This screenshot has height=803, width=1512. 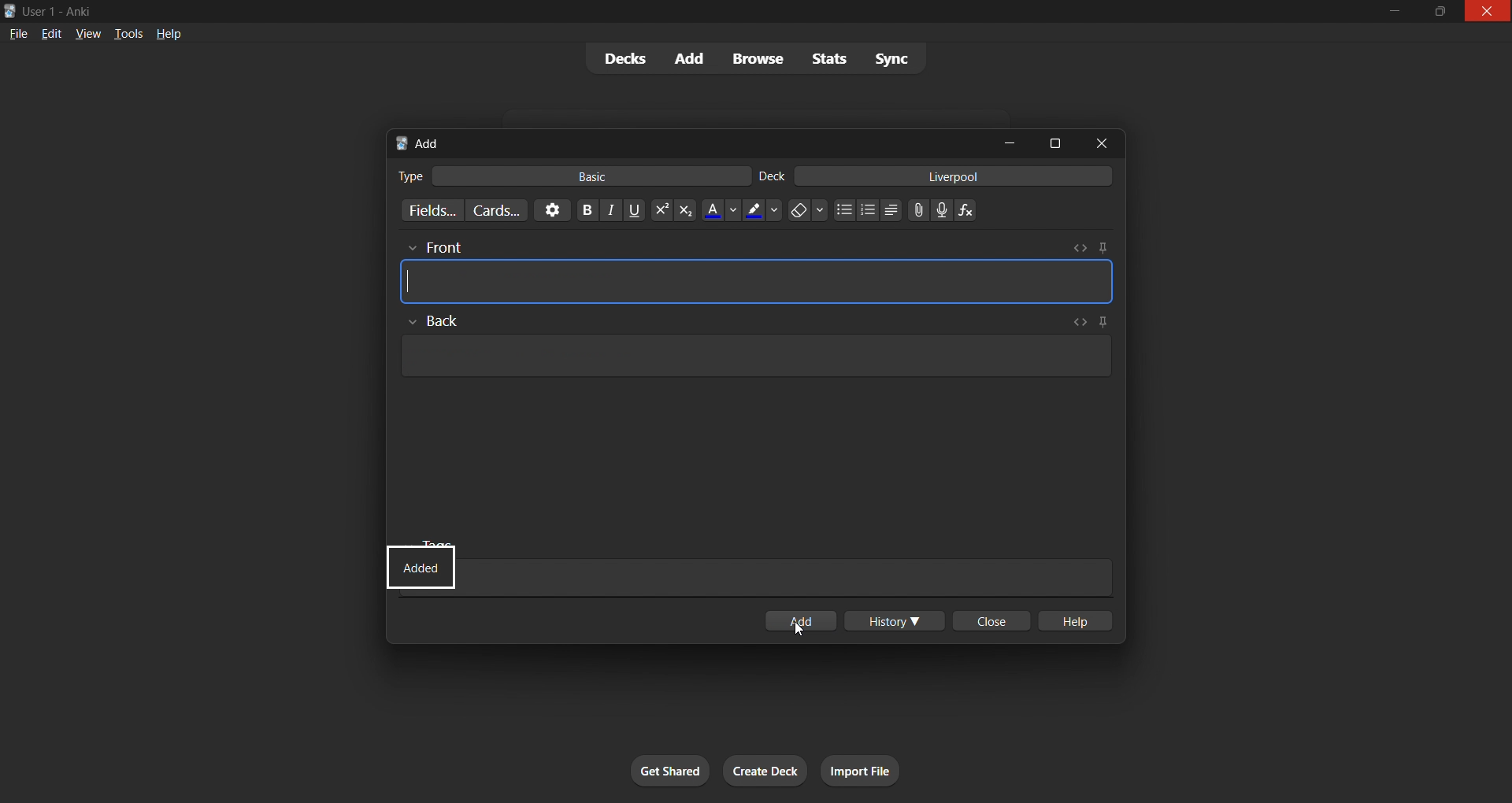 I want to click on close, so click(x=1095, y=144).